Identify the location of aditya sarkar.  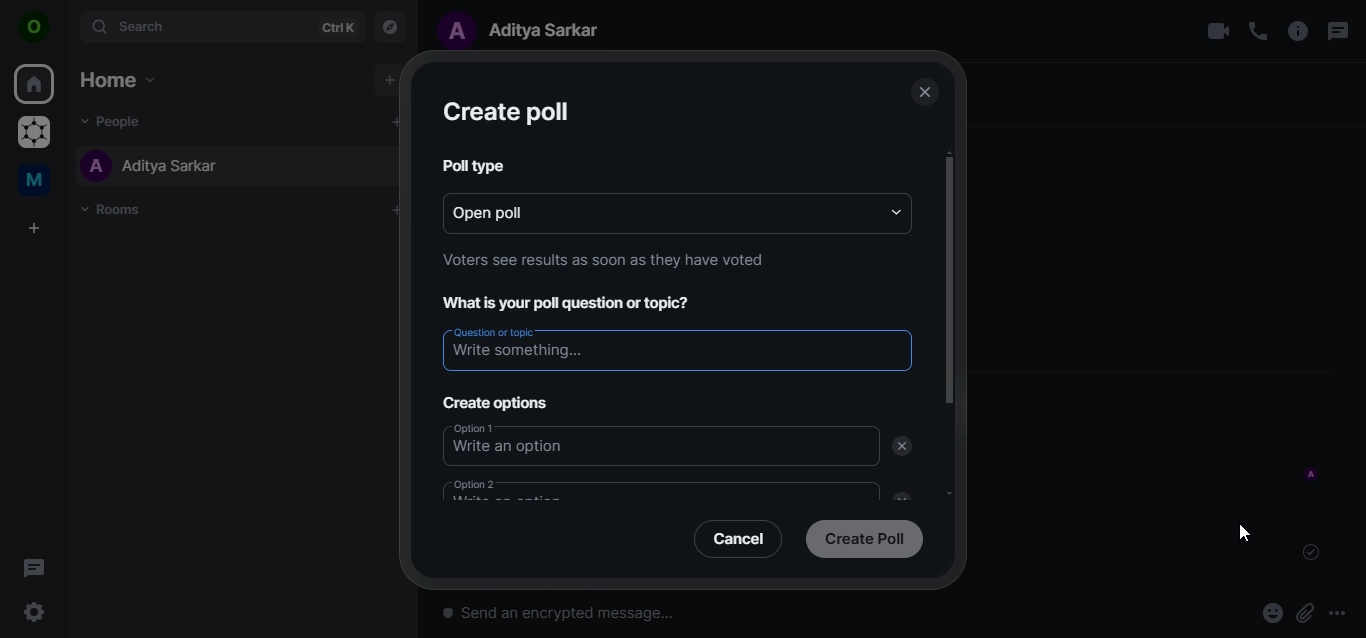
(528, 29).